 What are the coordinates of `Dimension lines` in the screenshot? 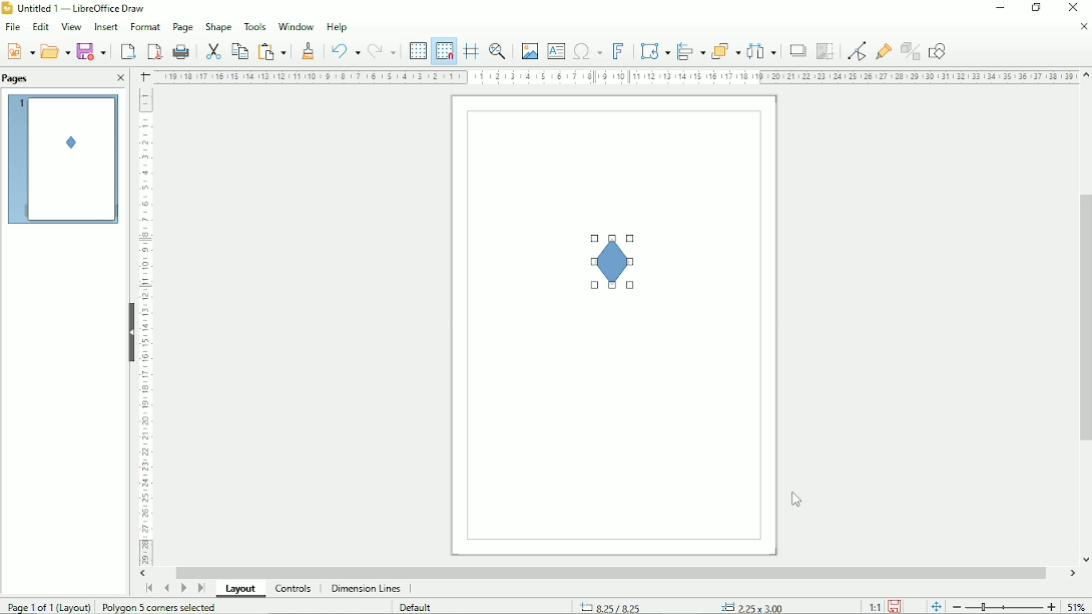 It's located at (366, 589).